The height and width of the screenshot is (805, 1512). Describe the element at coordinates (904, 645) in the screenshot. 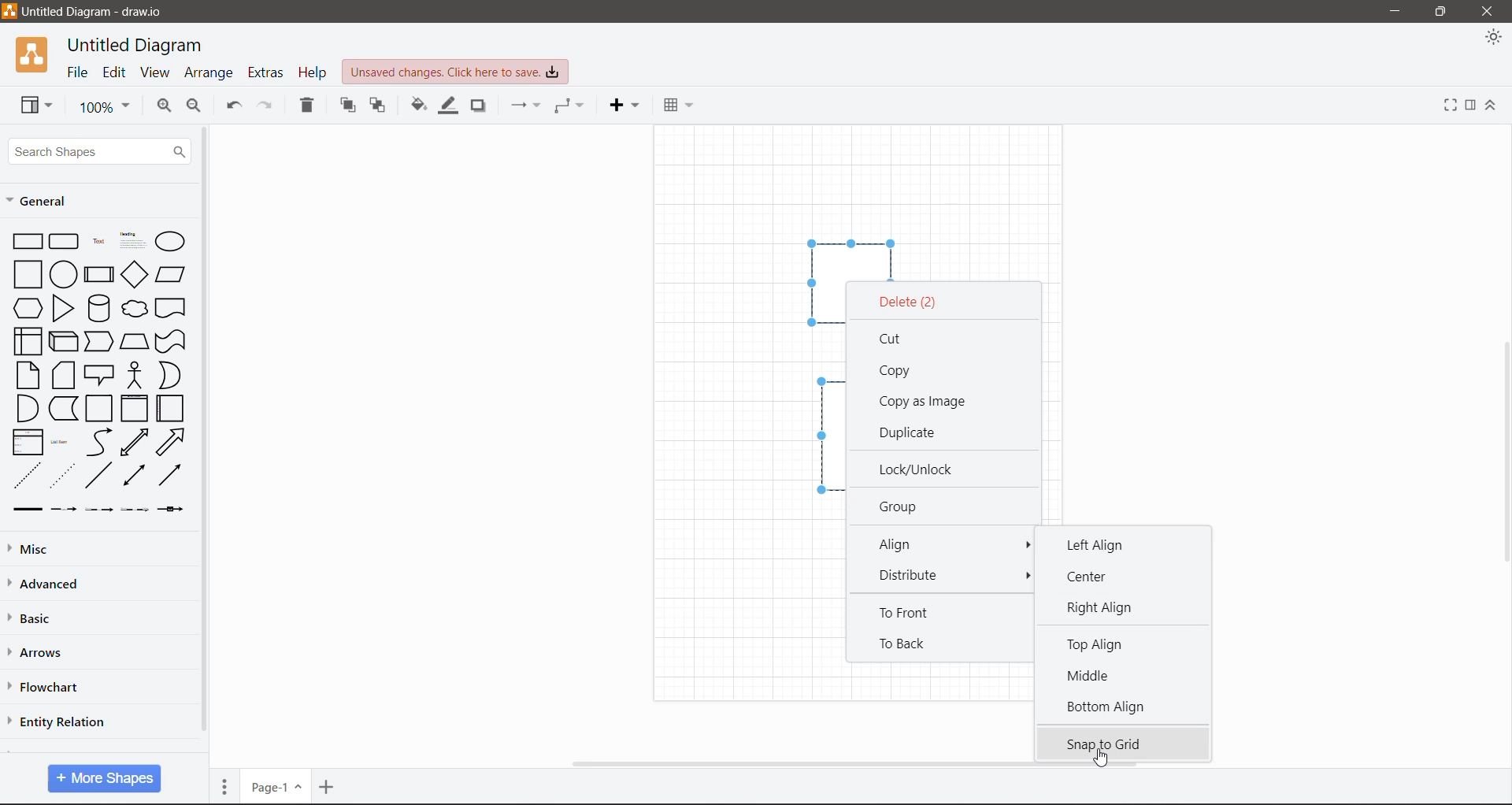

I see `To Back` at that location.